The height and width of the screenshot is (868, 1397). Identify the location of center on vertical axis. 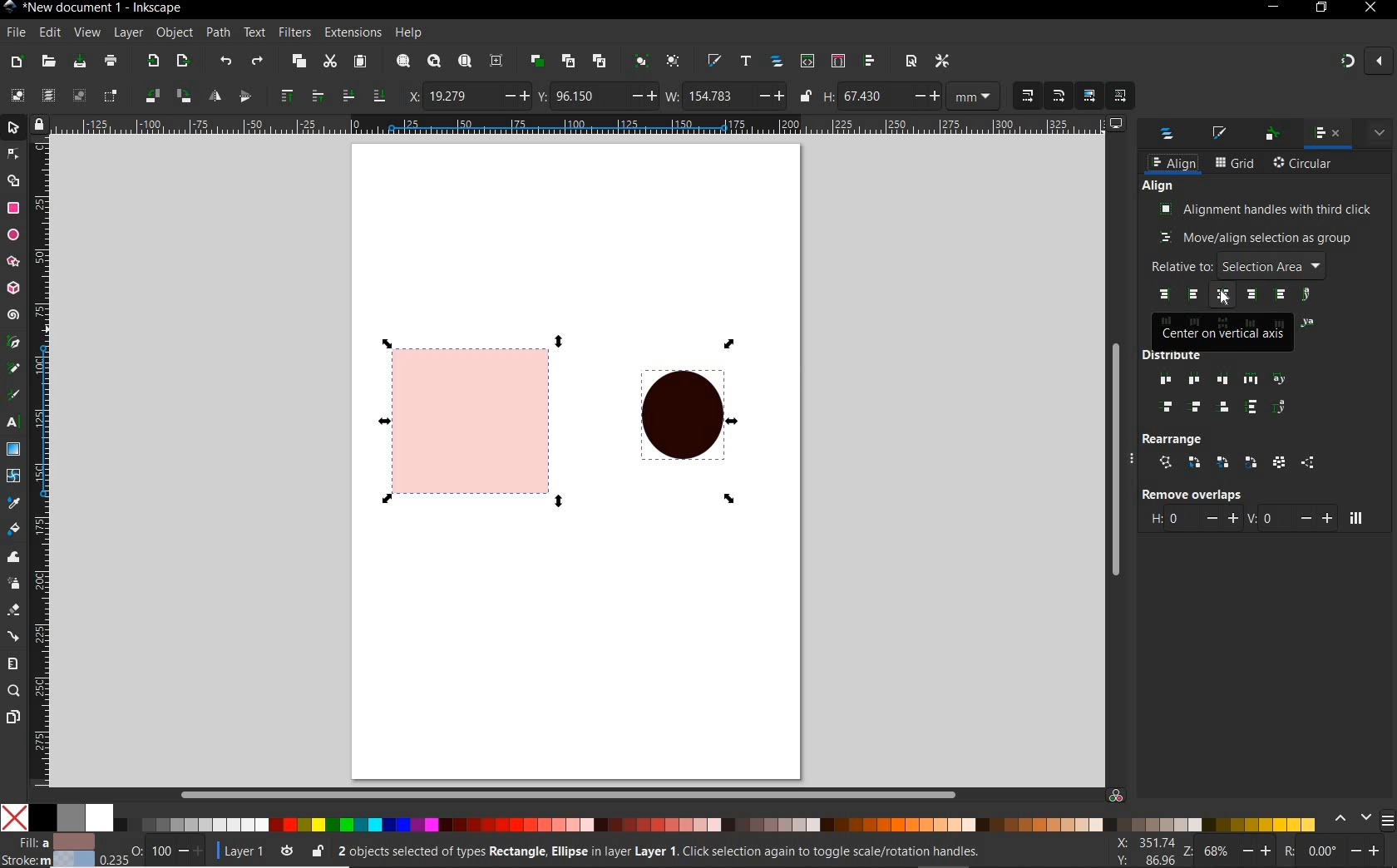
(1224, 333).